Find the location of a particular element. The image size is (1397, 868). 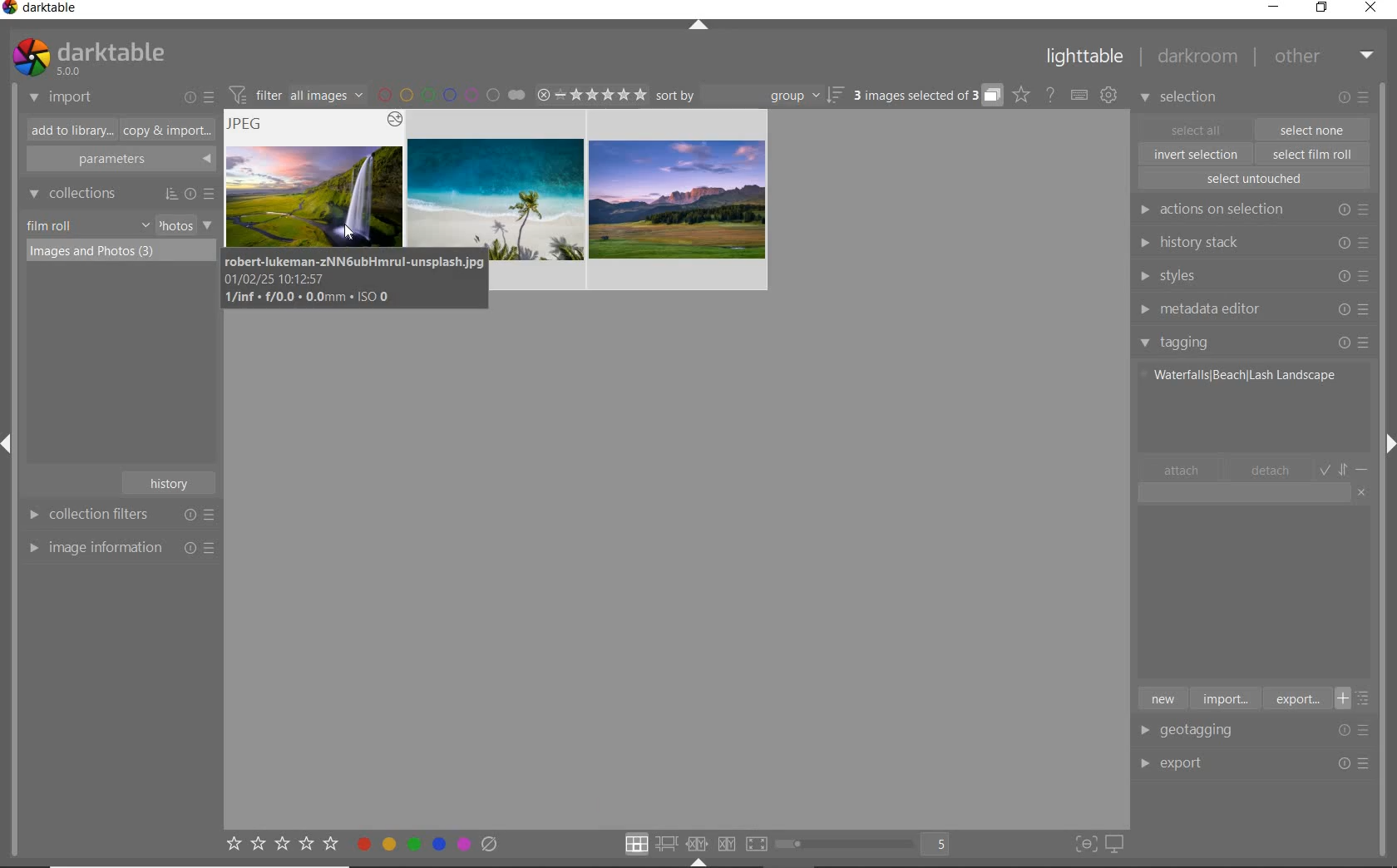

geotagging is located at coordinates (1202, 732).